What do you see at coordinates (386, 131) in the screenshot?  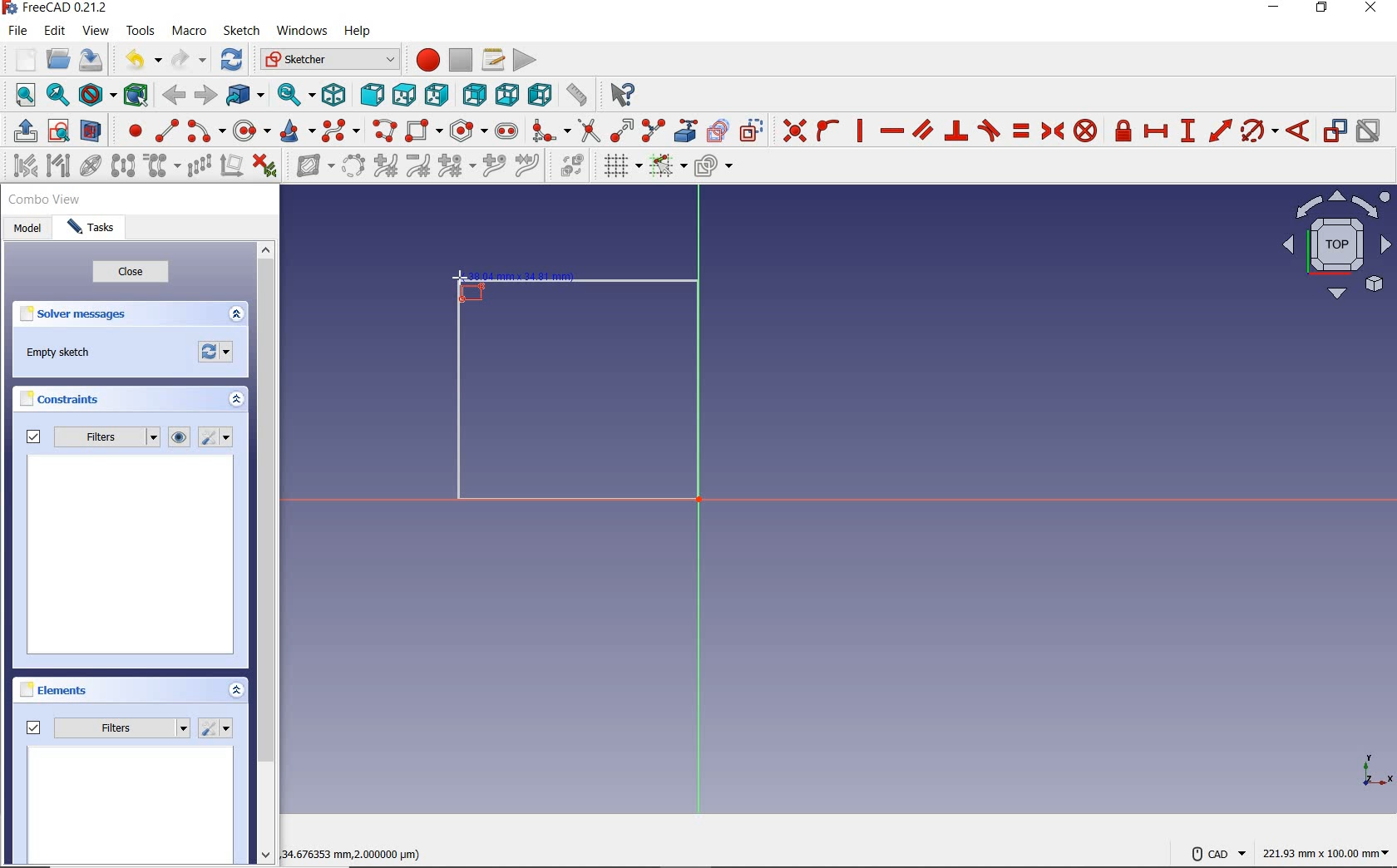 I see `create polyline` at bounding box center [386, 131].